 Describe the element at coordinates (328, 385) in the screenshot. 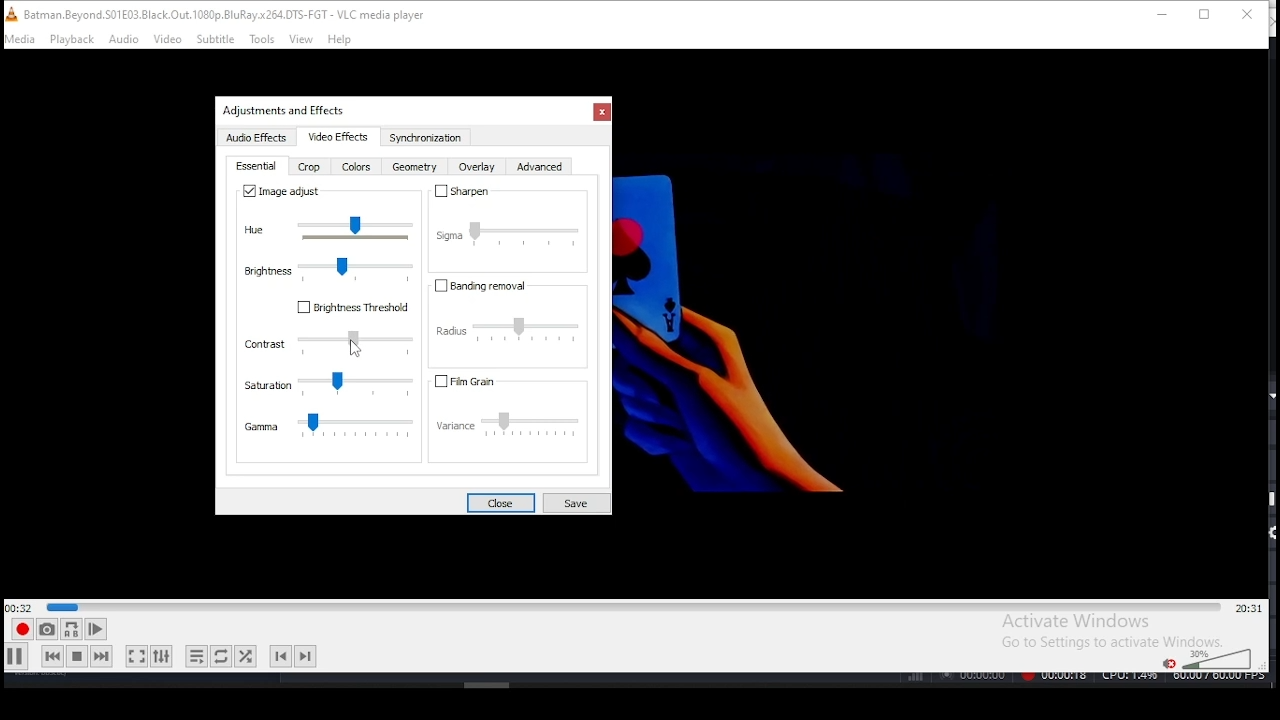

I see `saturation settings slider` at that location.